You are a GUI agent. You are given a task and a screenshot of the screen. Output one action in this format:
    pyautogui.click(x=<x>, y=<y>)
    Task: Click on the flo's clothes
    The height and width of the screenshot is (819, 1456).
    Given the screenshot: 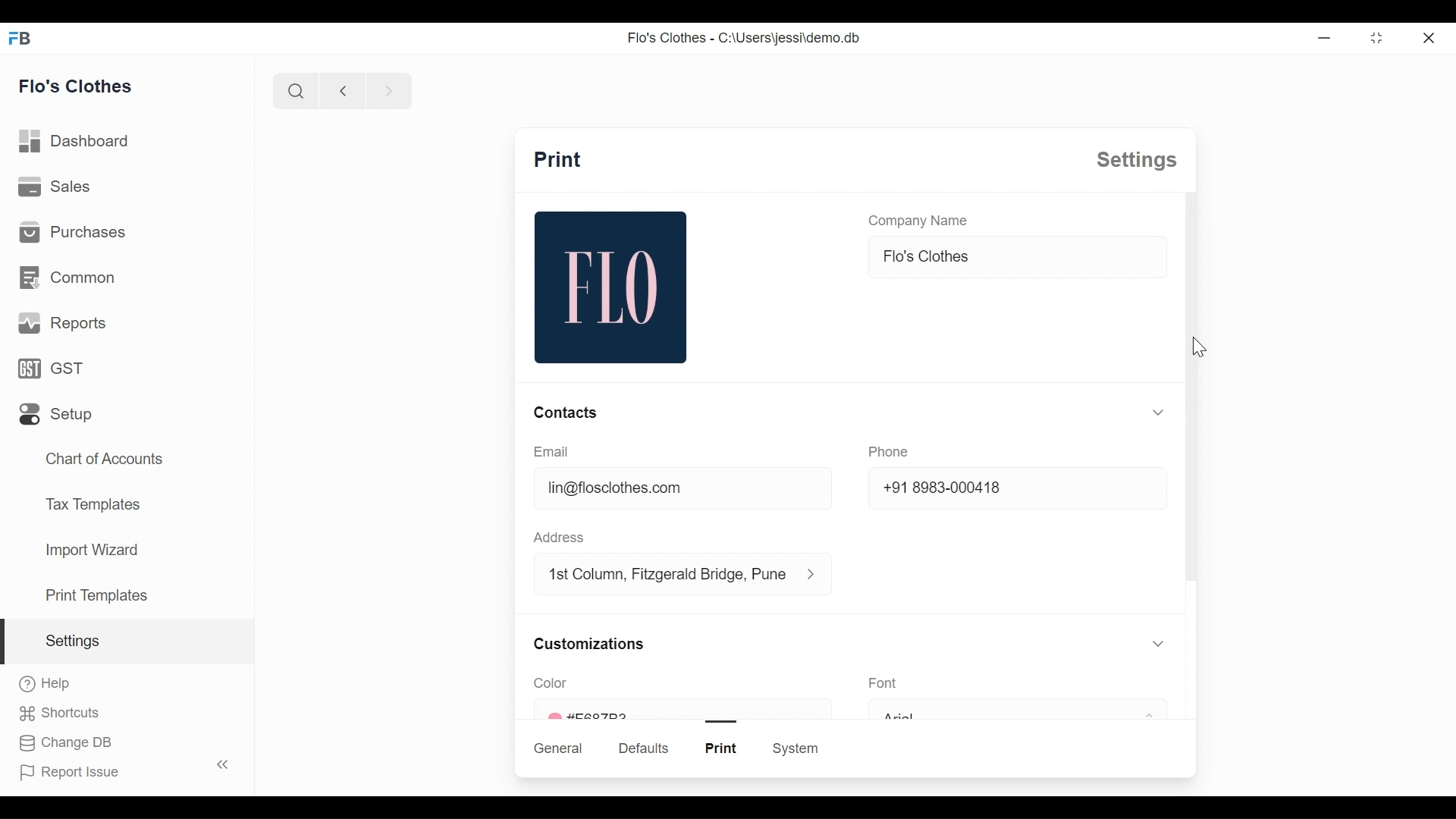 What is the action you would take?
    pyautogui.click(x=76, y=86)
    